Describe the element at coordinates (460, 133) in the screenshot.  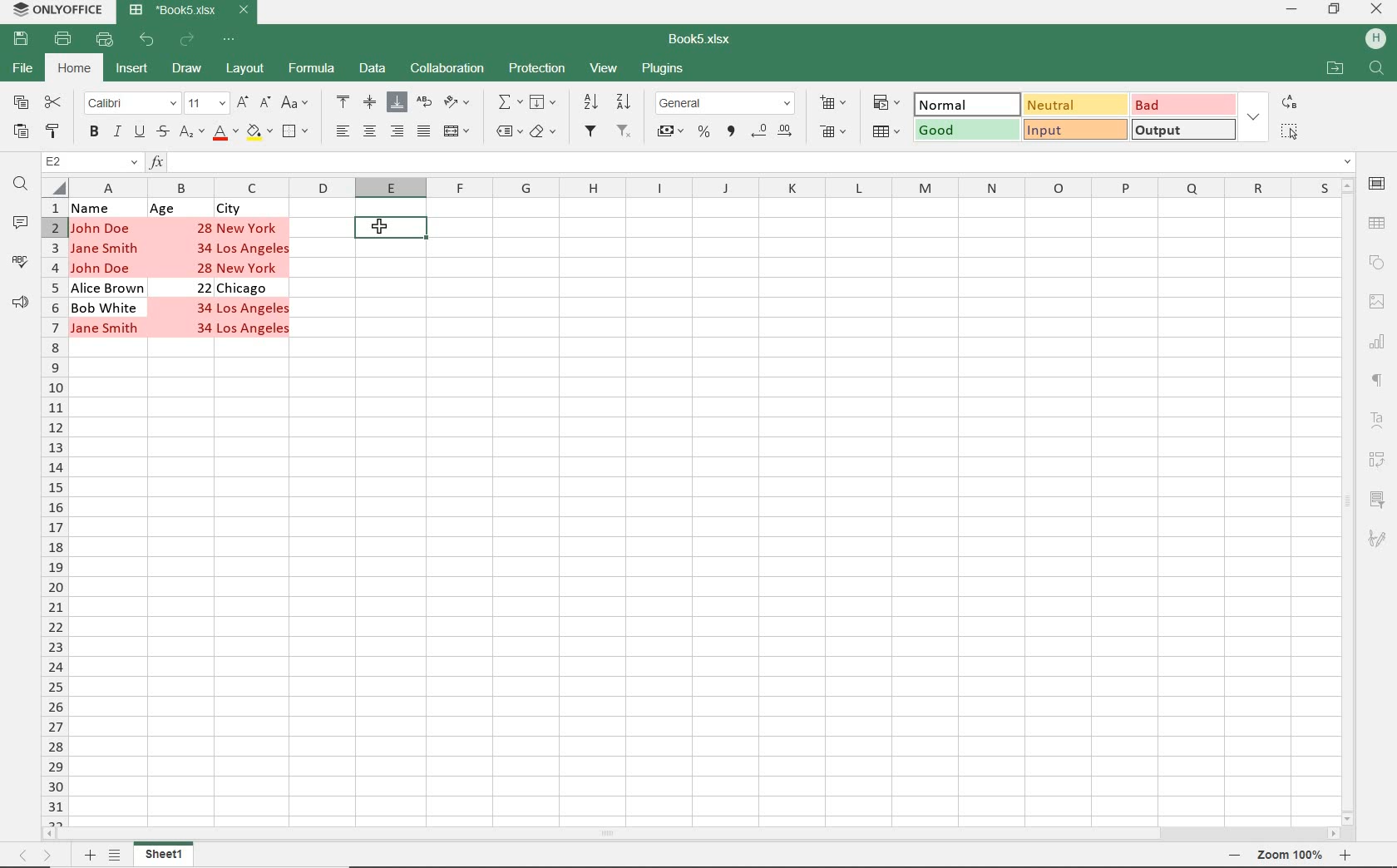
I see `MERGE & CENTER` at that location.